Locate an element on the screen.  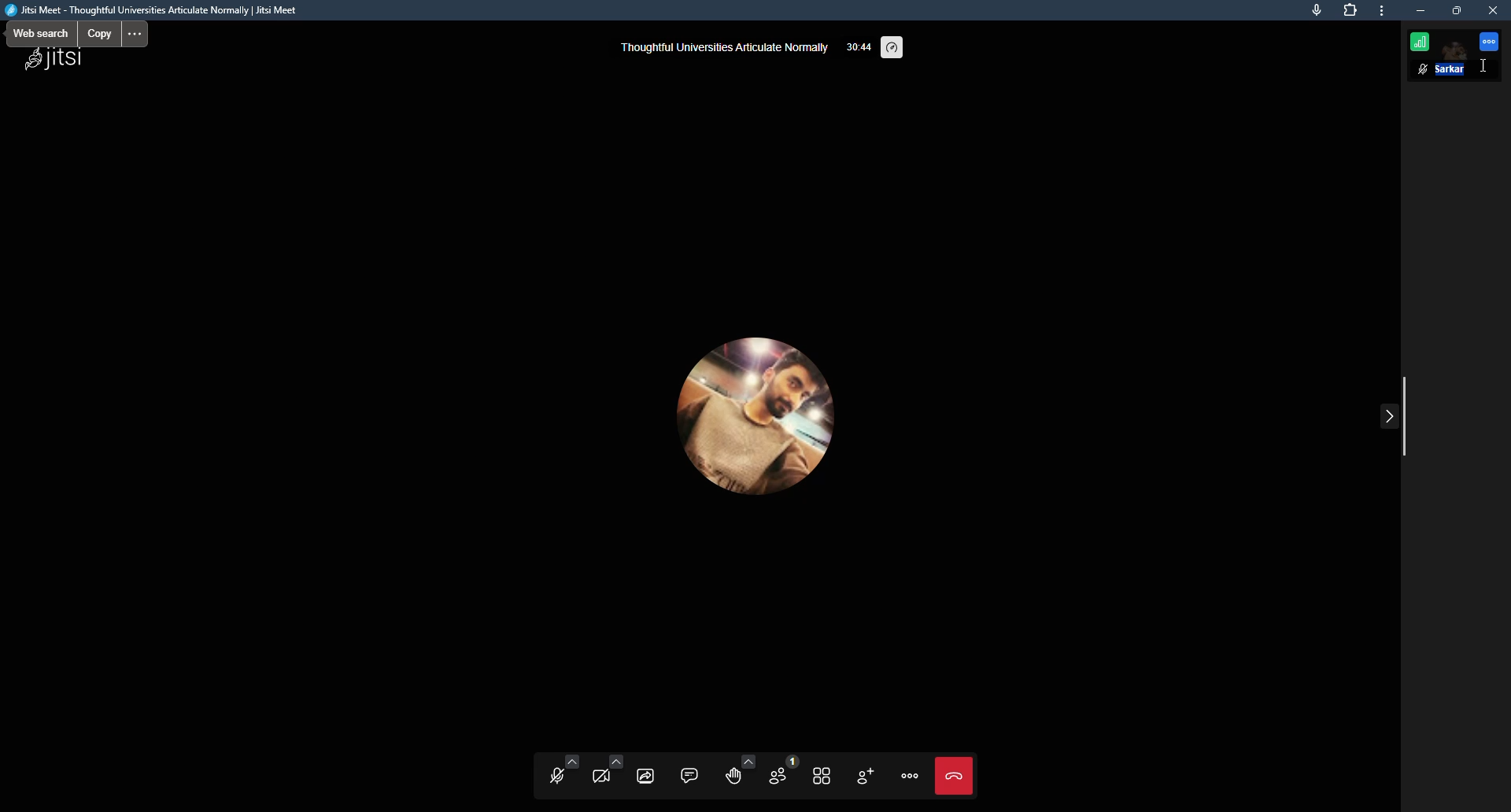
start camera is located at coordinates (605, 773).